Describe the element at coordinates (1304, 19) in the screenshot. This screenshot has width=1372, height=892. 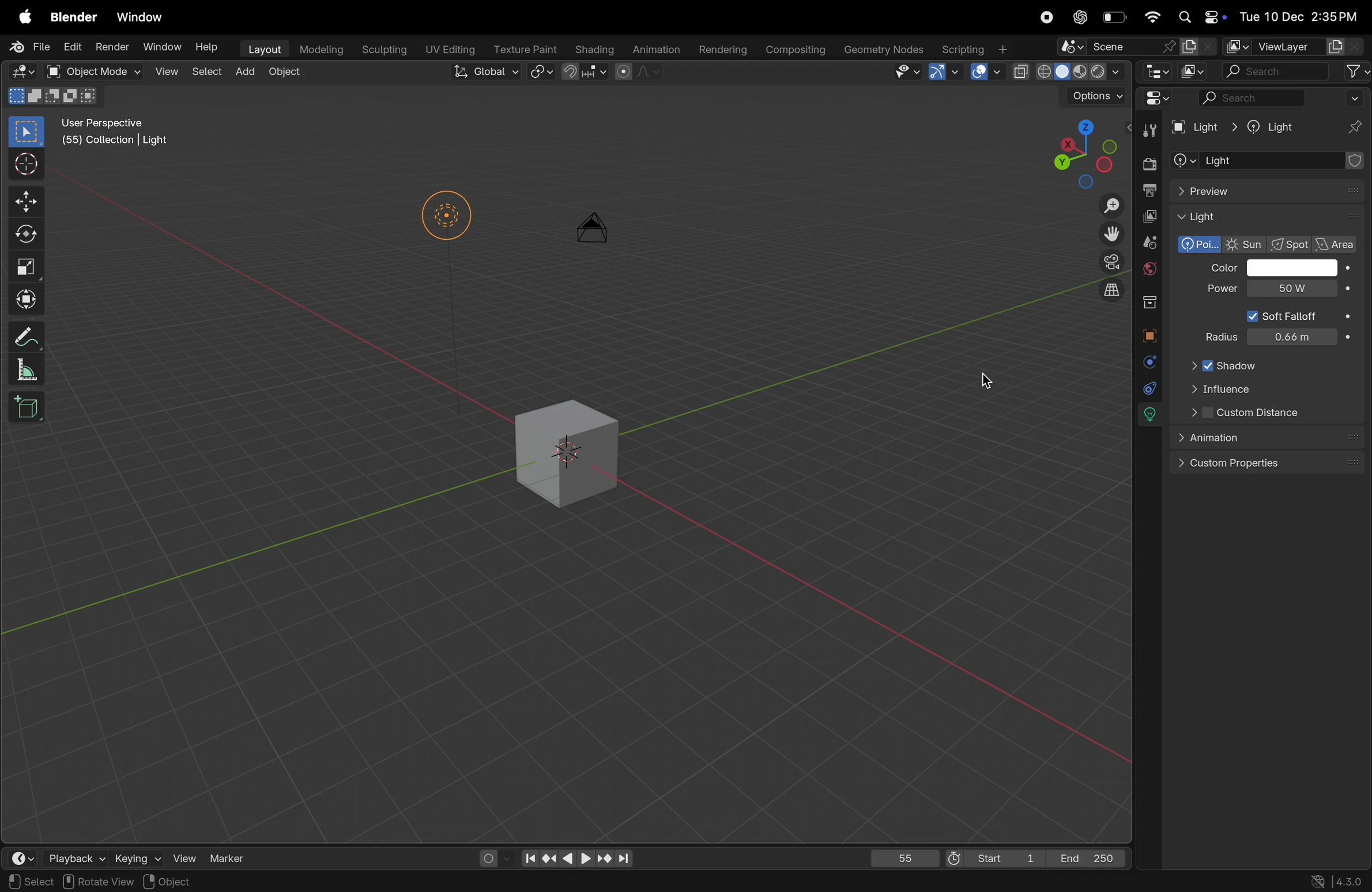
I see `date and time` at that location.